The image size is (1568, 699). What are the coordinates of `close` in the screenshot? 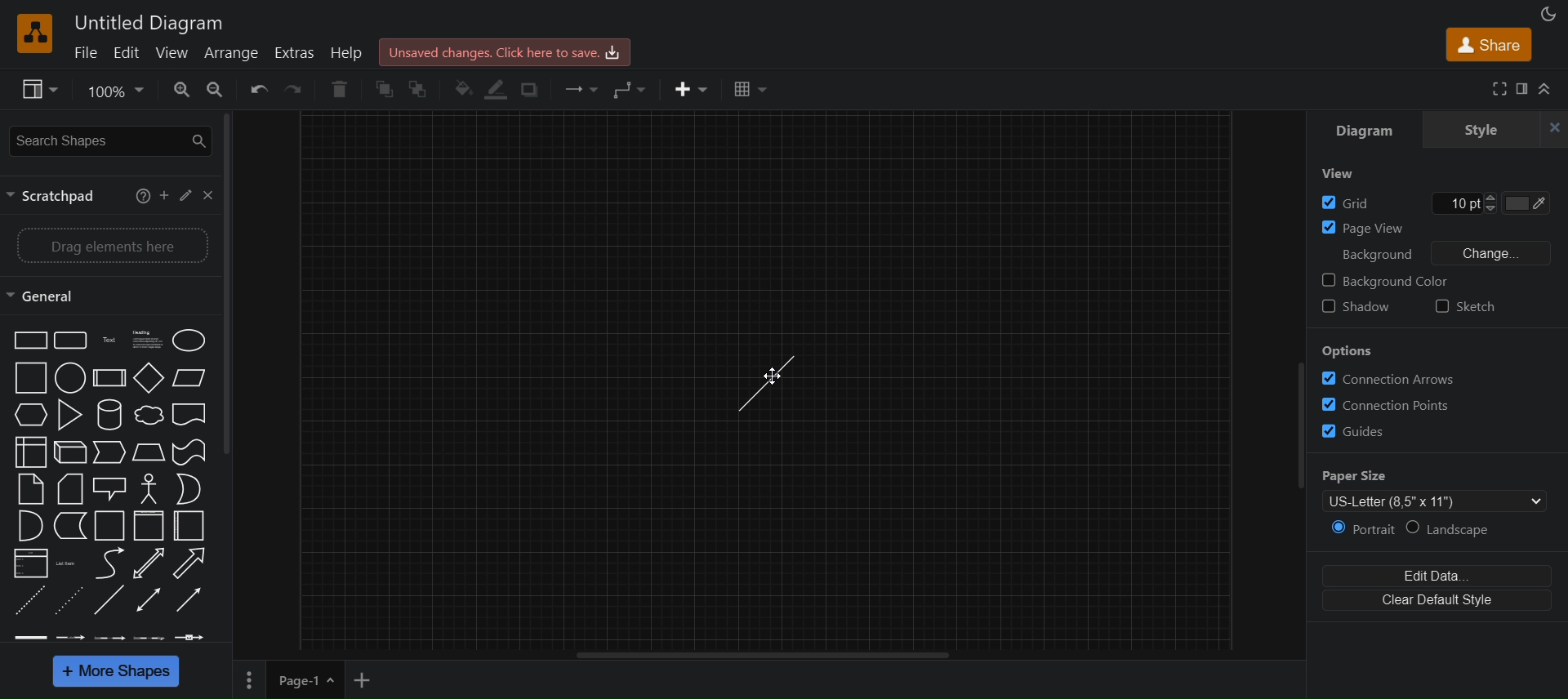 It's located at (1555, 129).